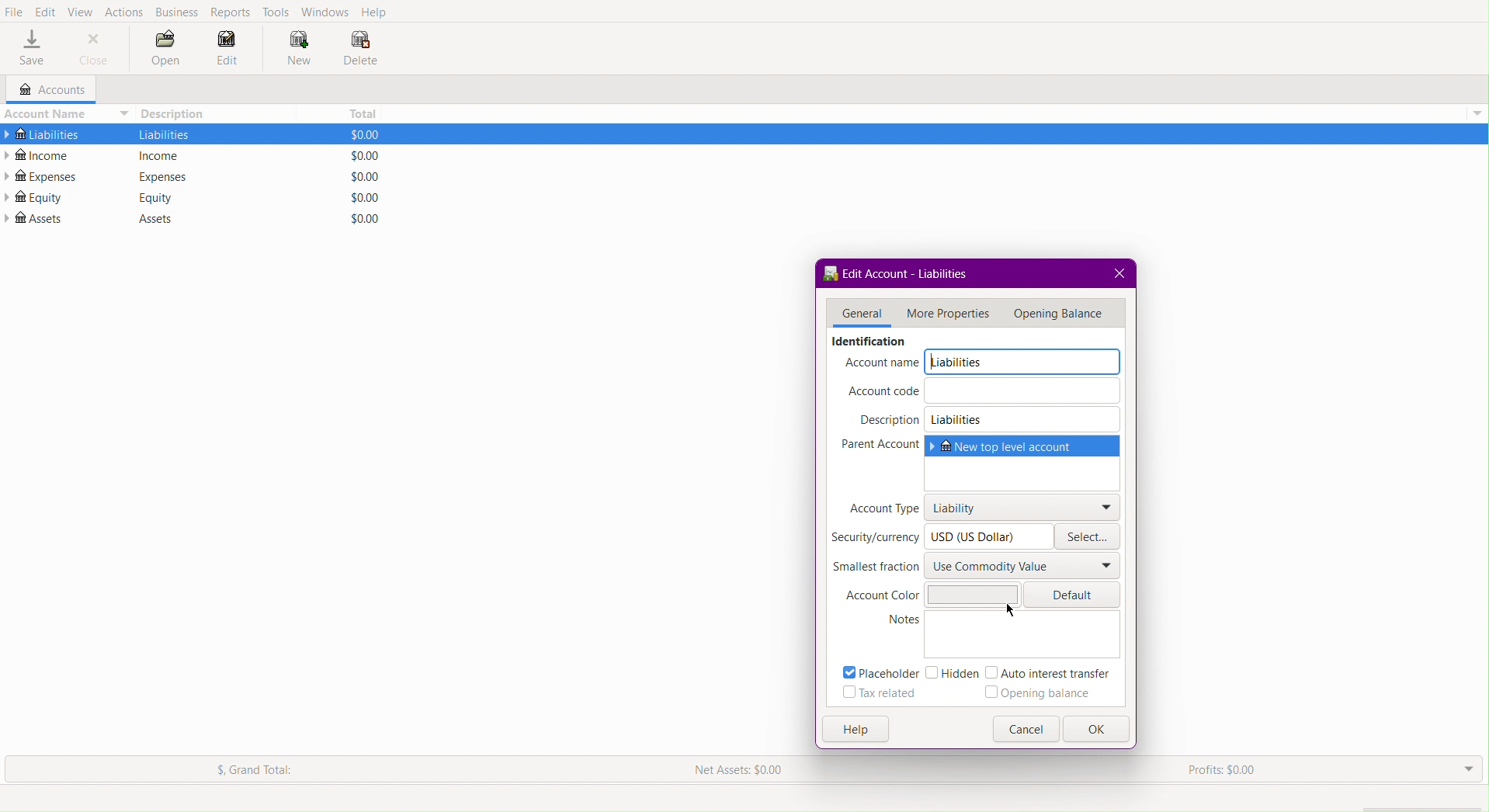 Image resolution: width=1489 pixels, height=812 pixels. Describe the element at coordinates (1061, 314) in the screenshot. I see `Opening Balance` at that location.